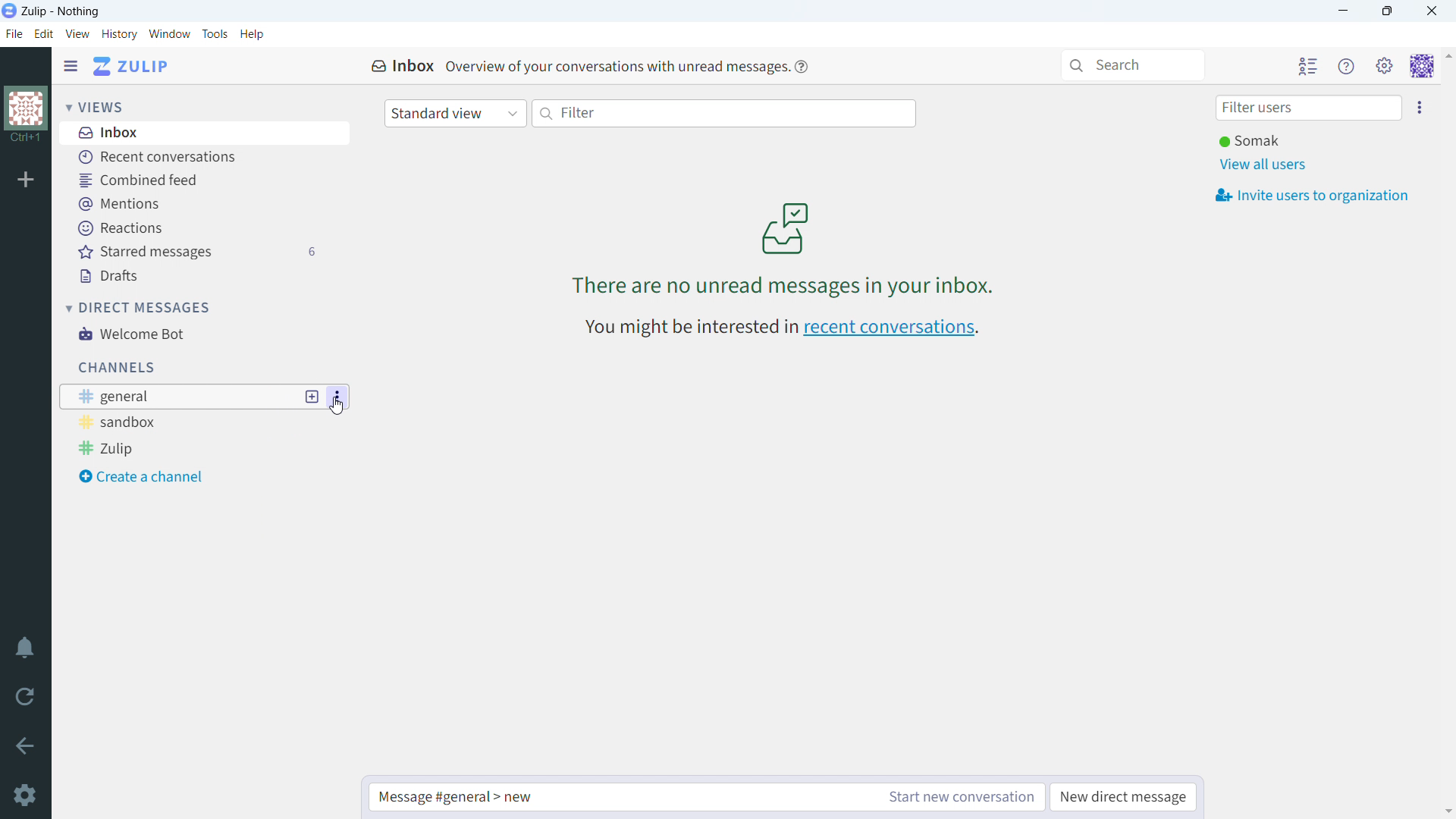  Describe the element at coordinates (170, 34) in the screenshot. I see `window` at that location.